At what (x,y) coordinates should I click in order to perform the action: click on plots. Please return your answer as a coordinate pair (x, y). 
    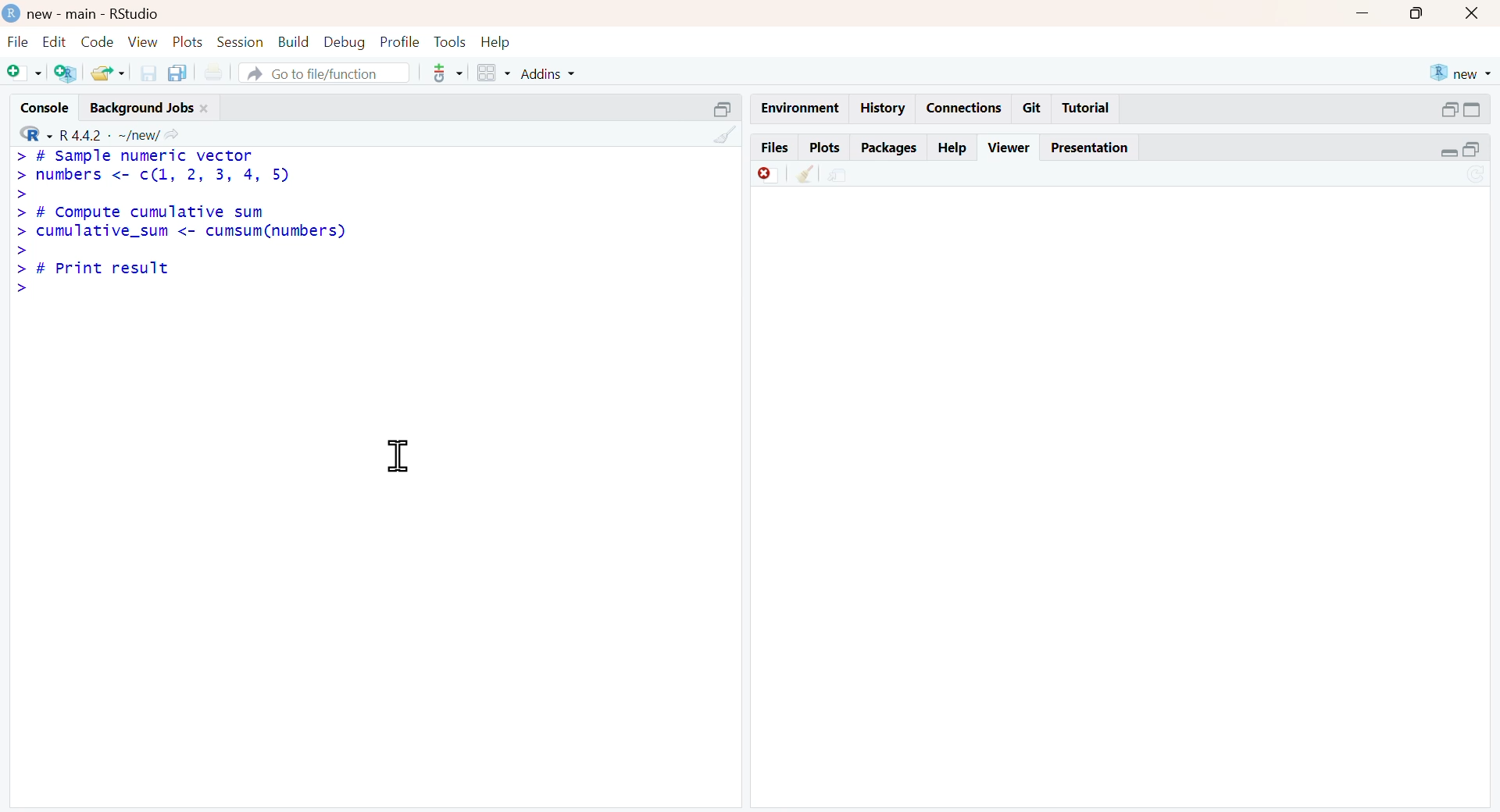
    Looking at the image, I should click on (187, 40).